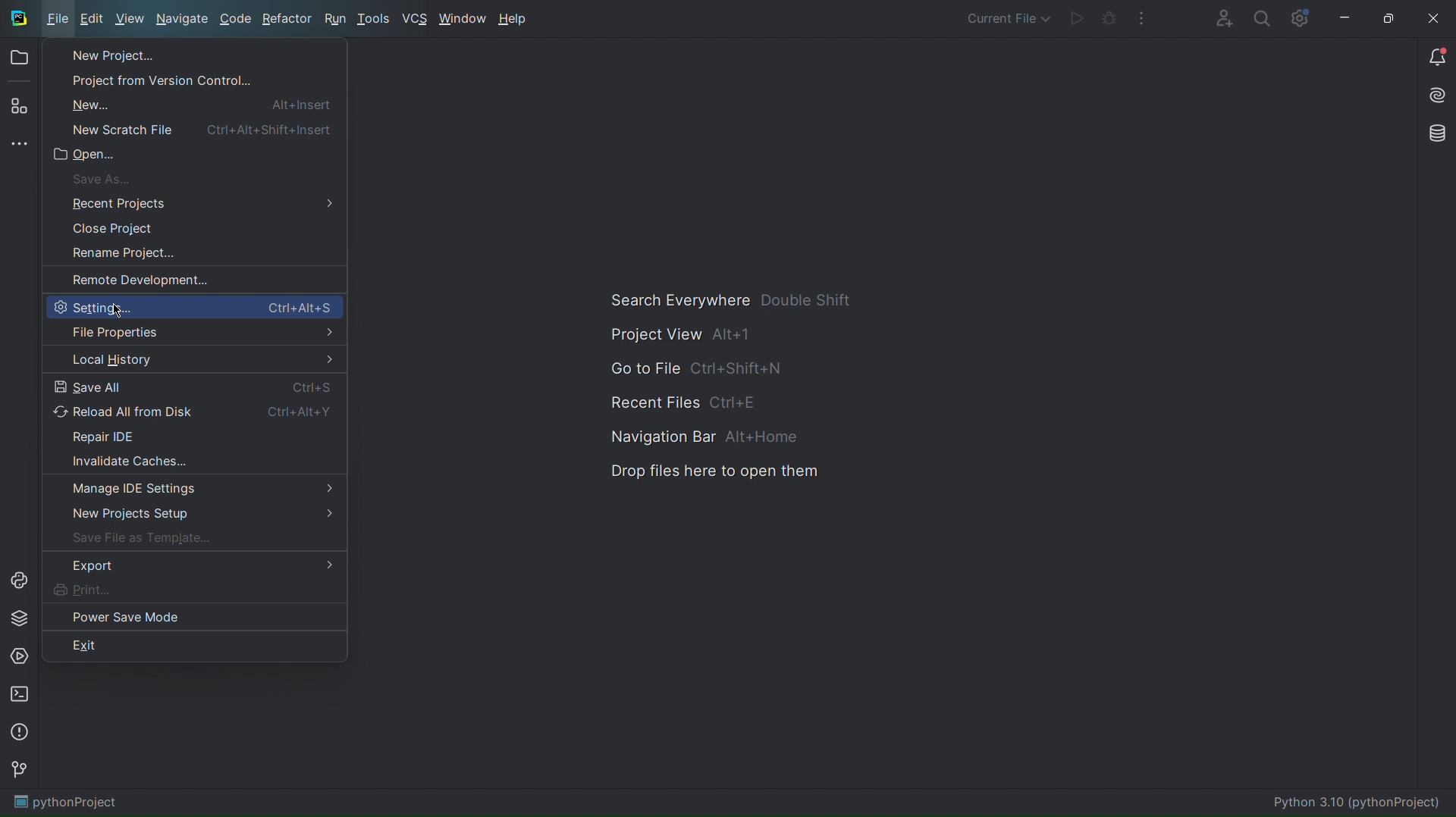  What do you see at coordinates (22, 773) in the screenshot?
I see `Version Control` at bounding box center [22, 773].